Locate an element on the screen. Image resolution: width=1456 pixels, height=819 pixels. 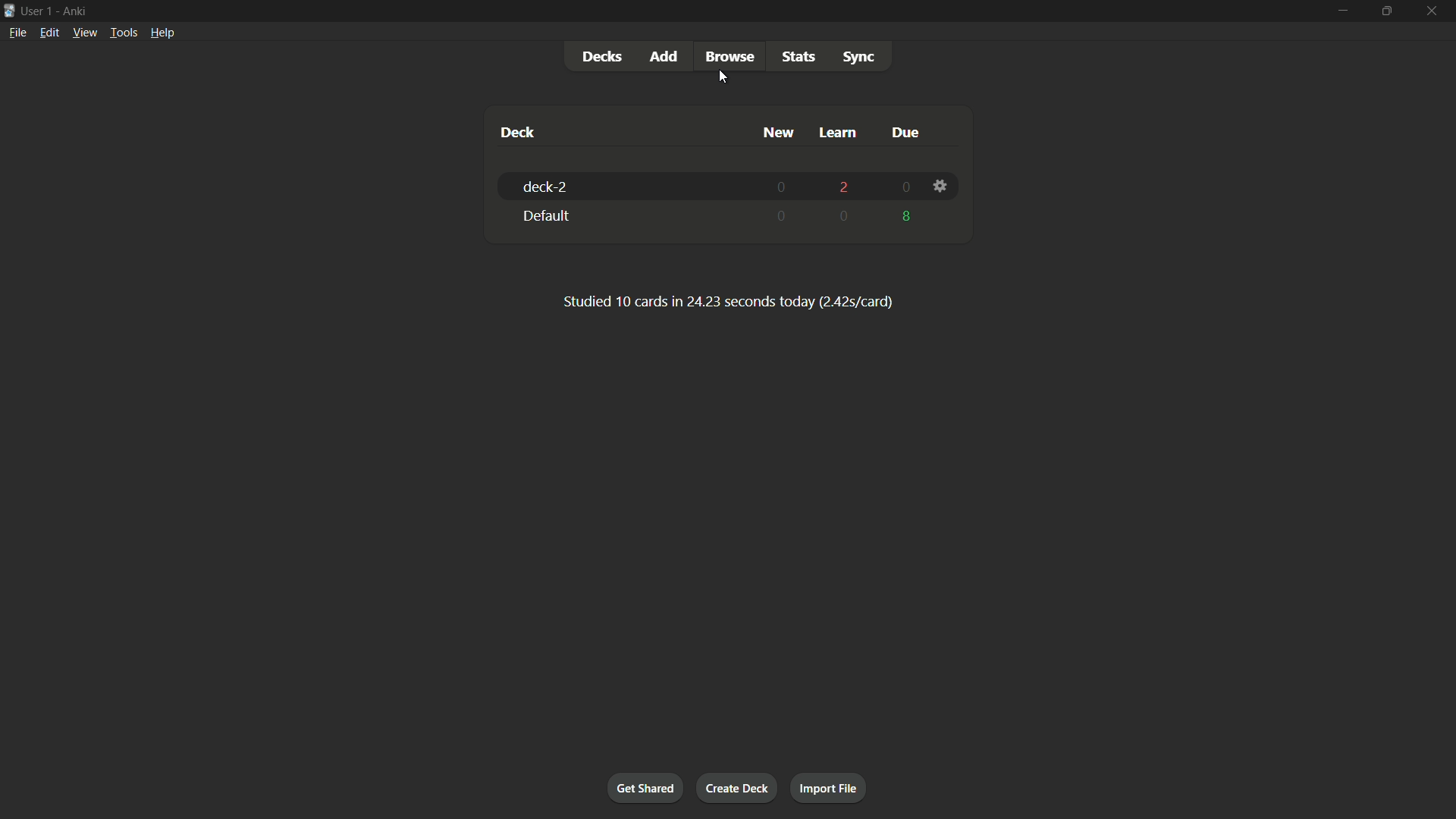
Maximize is located at coordinates (1385, 11).